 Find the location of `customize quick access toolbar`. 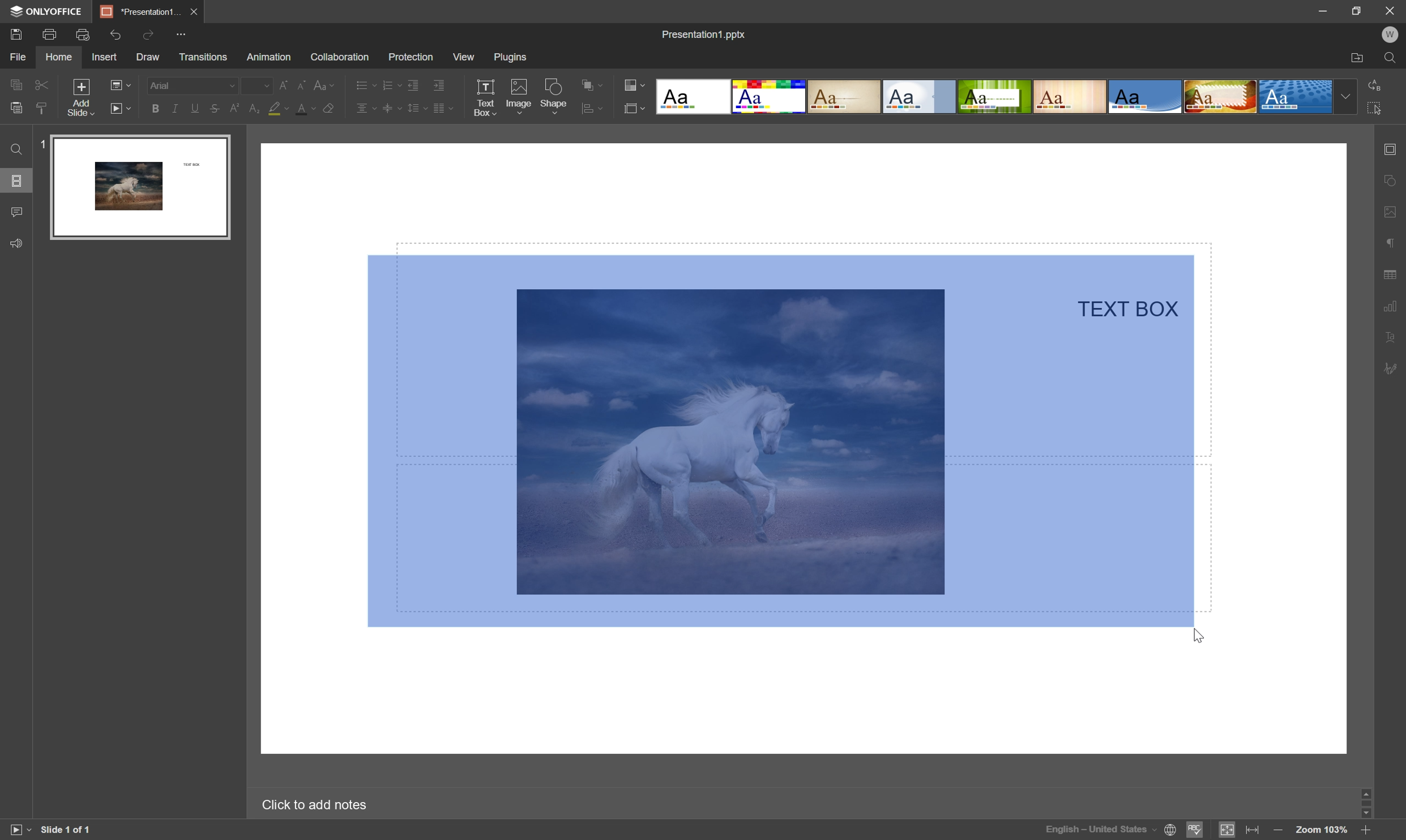

customize quick access toolbar is located at coordinates (188, 33).